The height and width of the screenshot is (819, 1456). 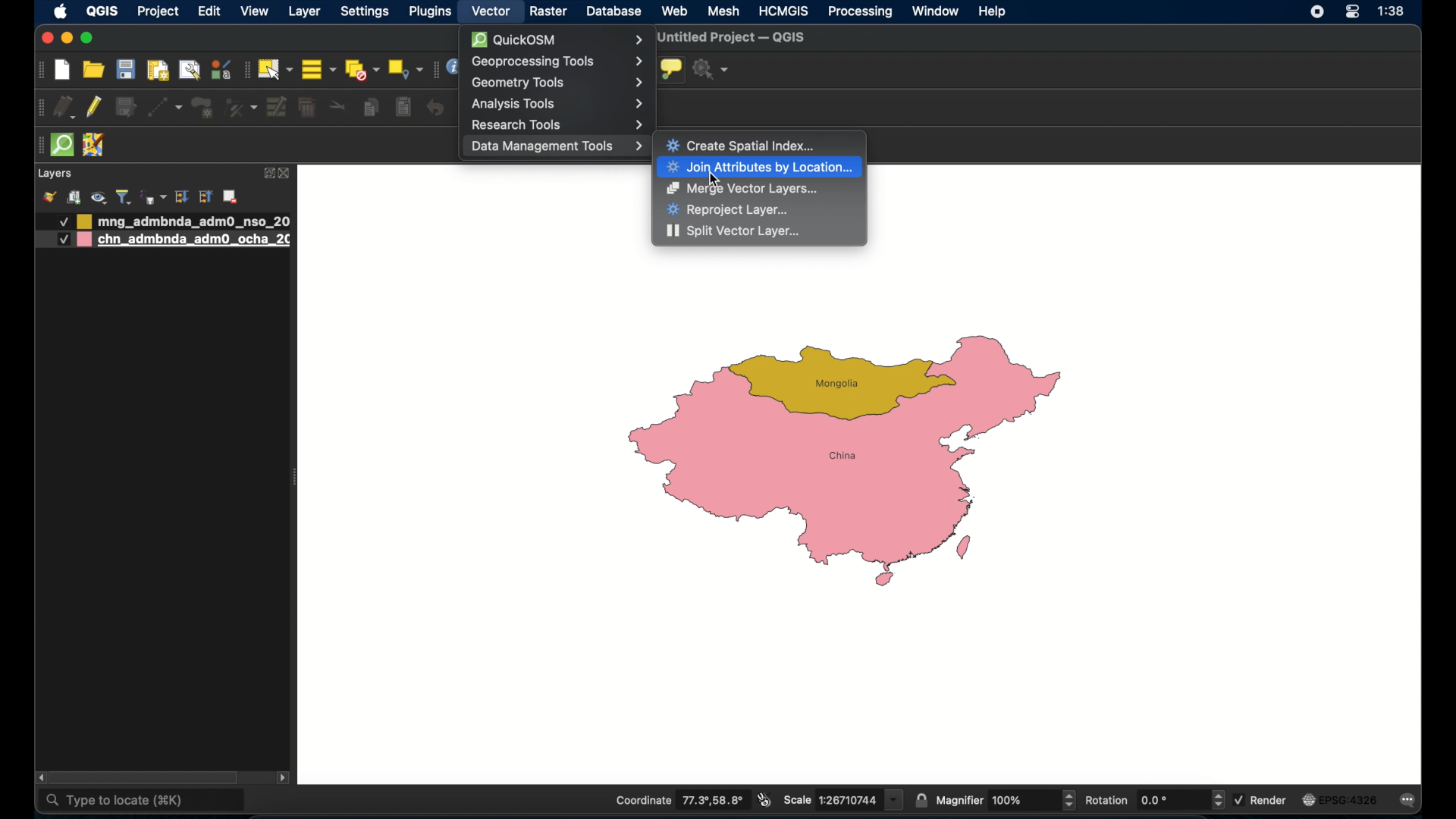 I want to click on save project, so click(x=127, y=69).